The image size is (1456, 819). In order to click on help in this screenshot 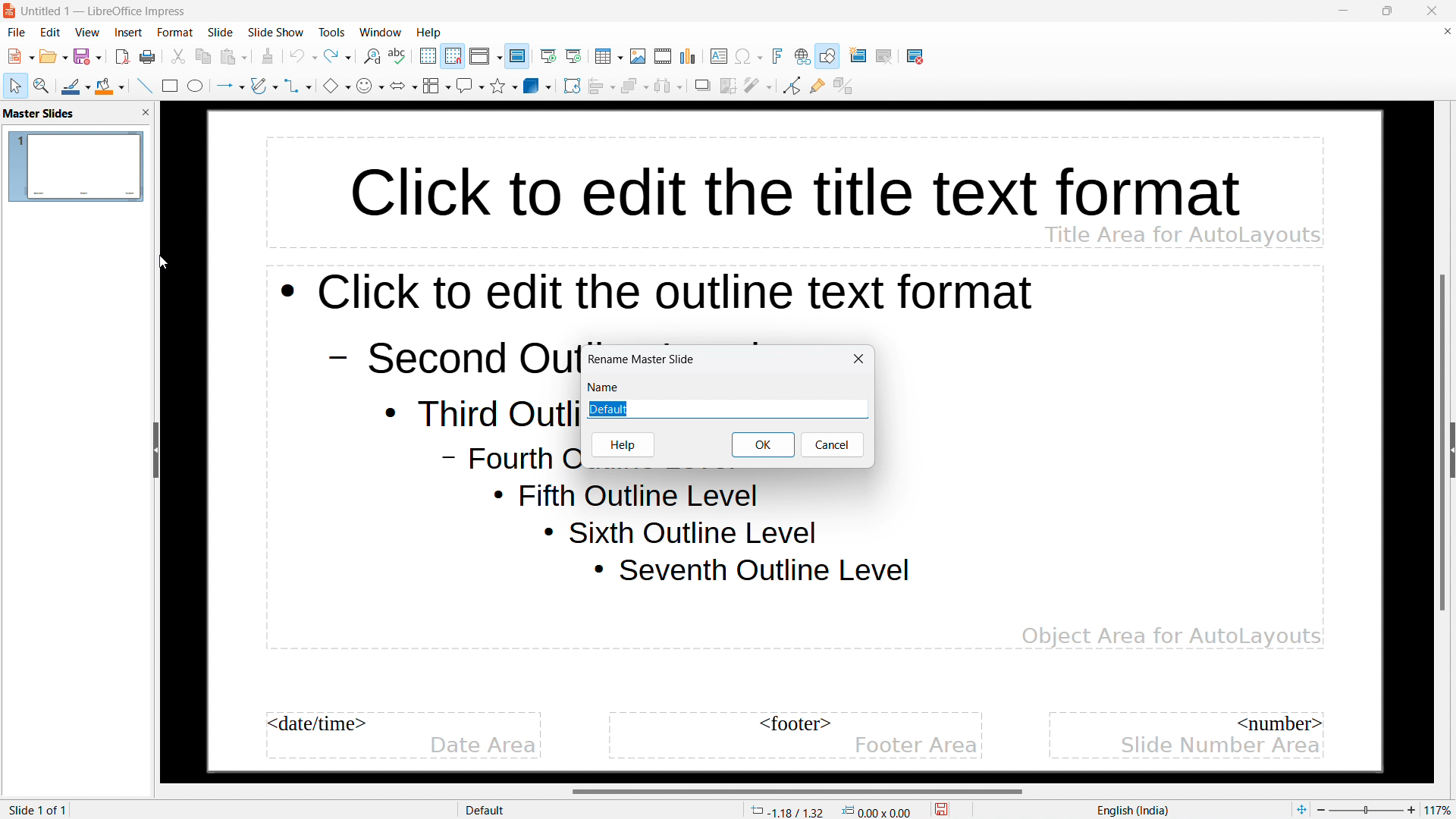, I will do `click(428, 33)`.